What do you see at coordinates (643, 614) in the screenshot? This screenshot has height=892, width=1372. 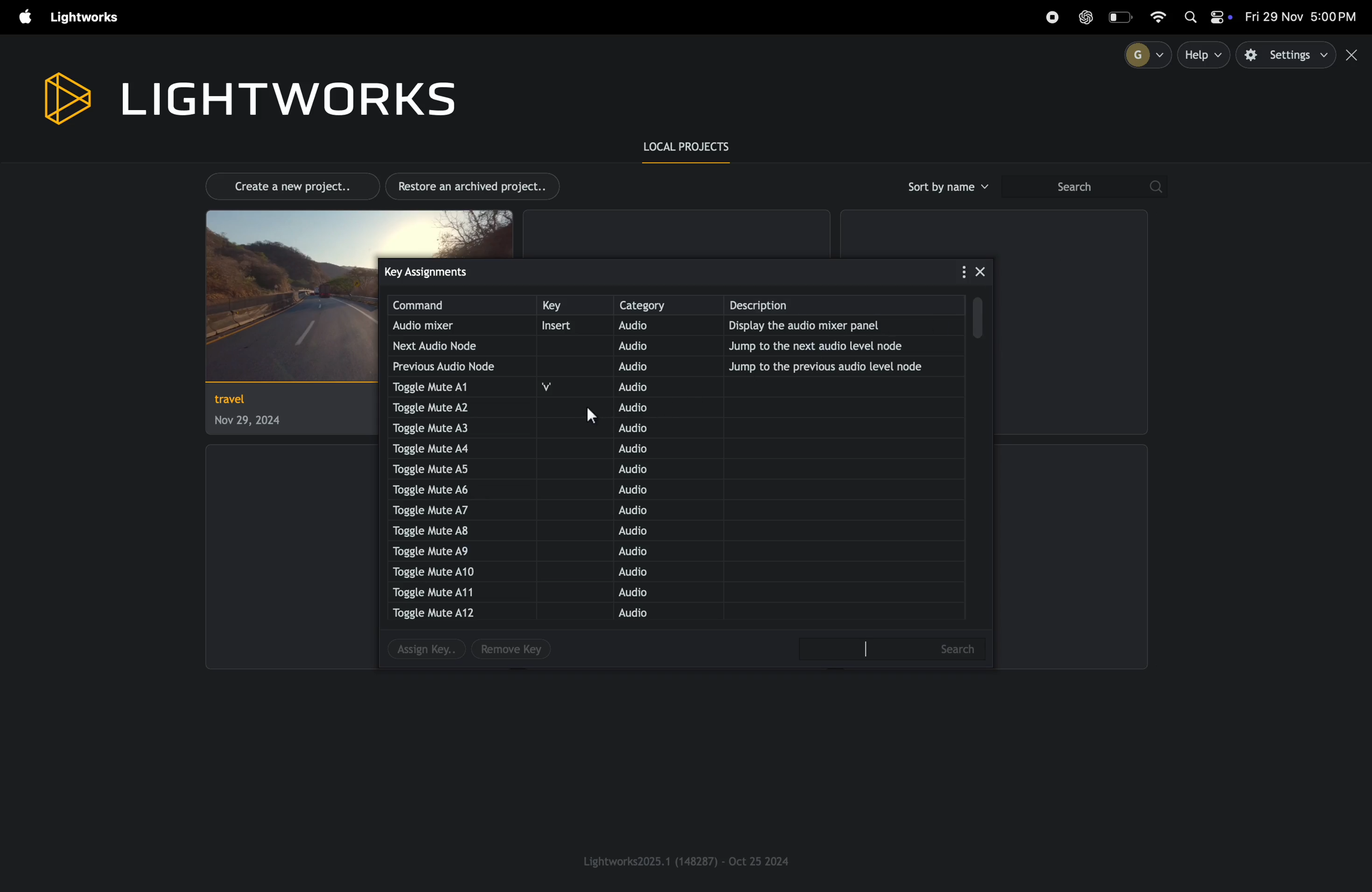 I see `audio` at bounding box center [643, 614].